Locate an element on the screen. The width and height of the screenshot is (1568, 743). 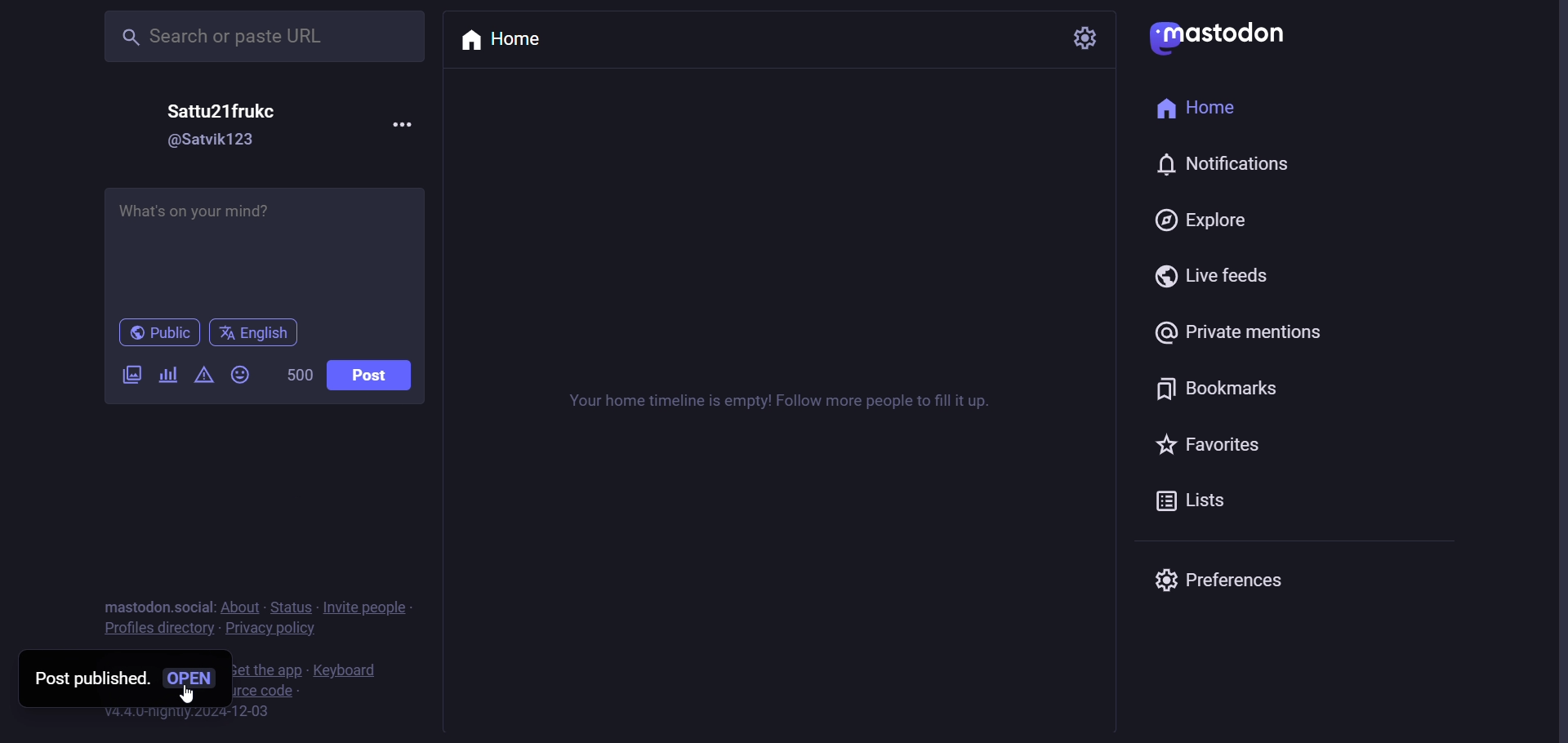
@Satvik123 is located at coordinates (221, 144).